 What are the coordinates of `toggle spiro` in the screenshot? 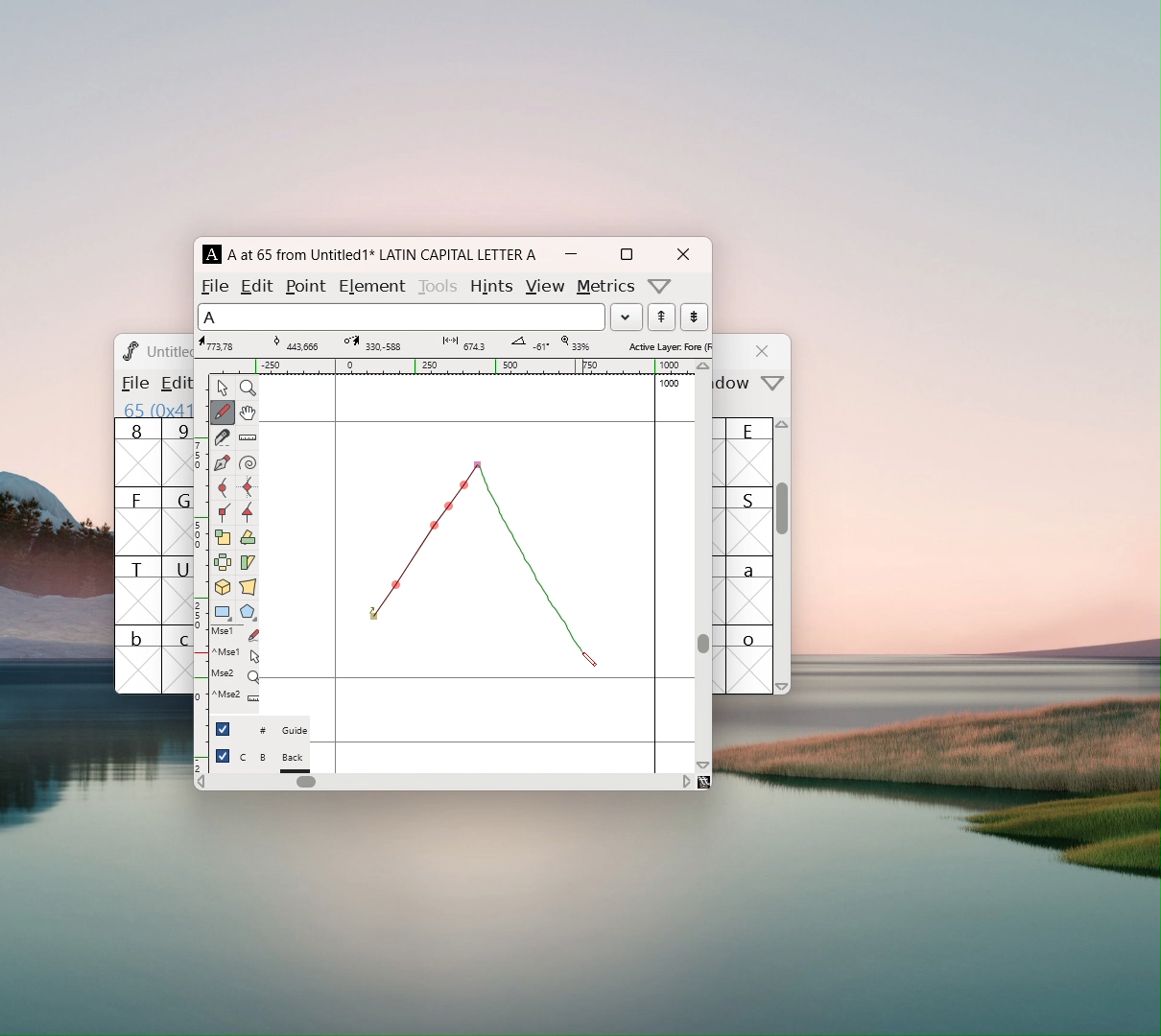 It's located at (248, 463).